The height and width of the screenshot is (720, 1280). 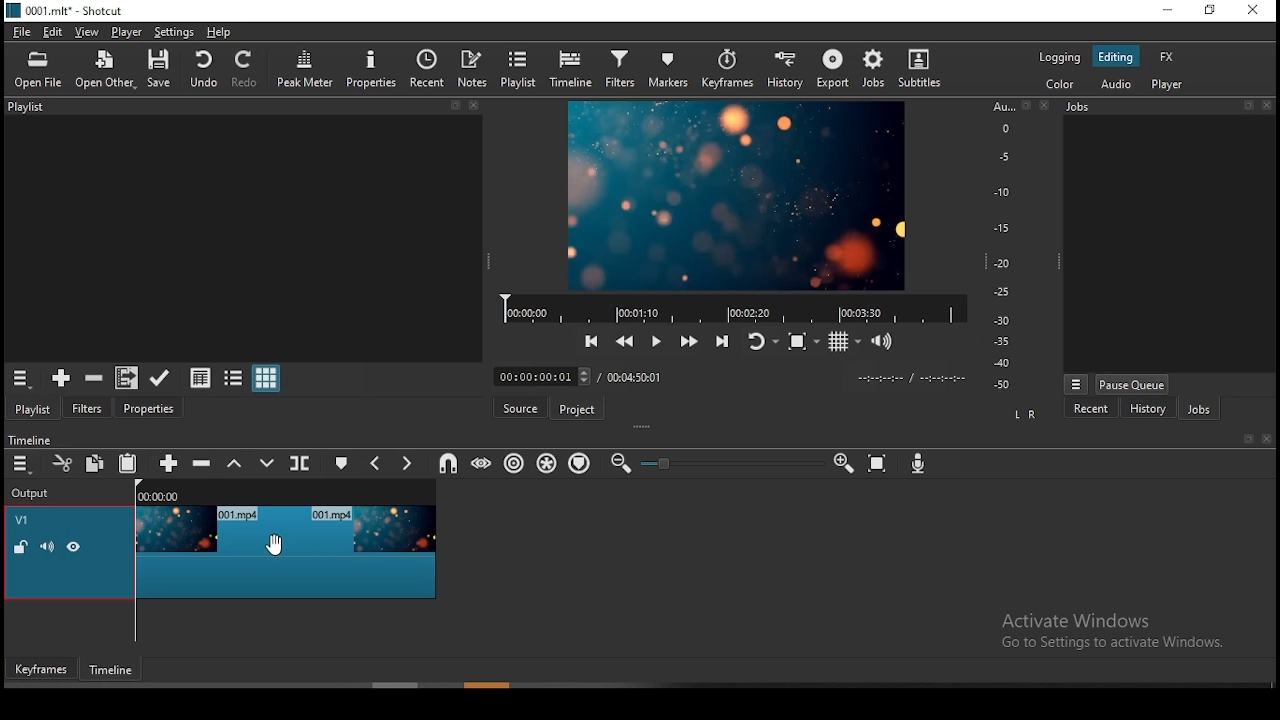 What do you see at coordinates (372, 70) in the screenshot?
I see `properties` at bounding box center [372, 70].